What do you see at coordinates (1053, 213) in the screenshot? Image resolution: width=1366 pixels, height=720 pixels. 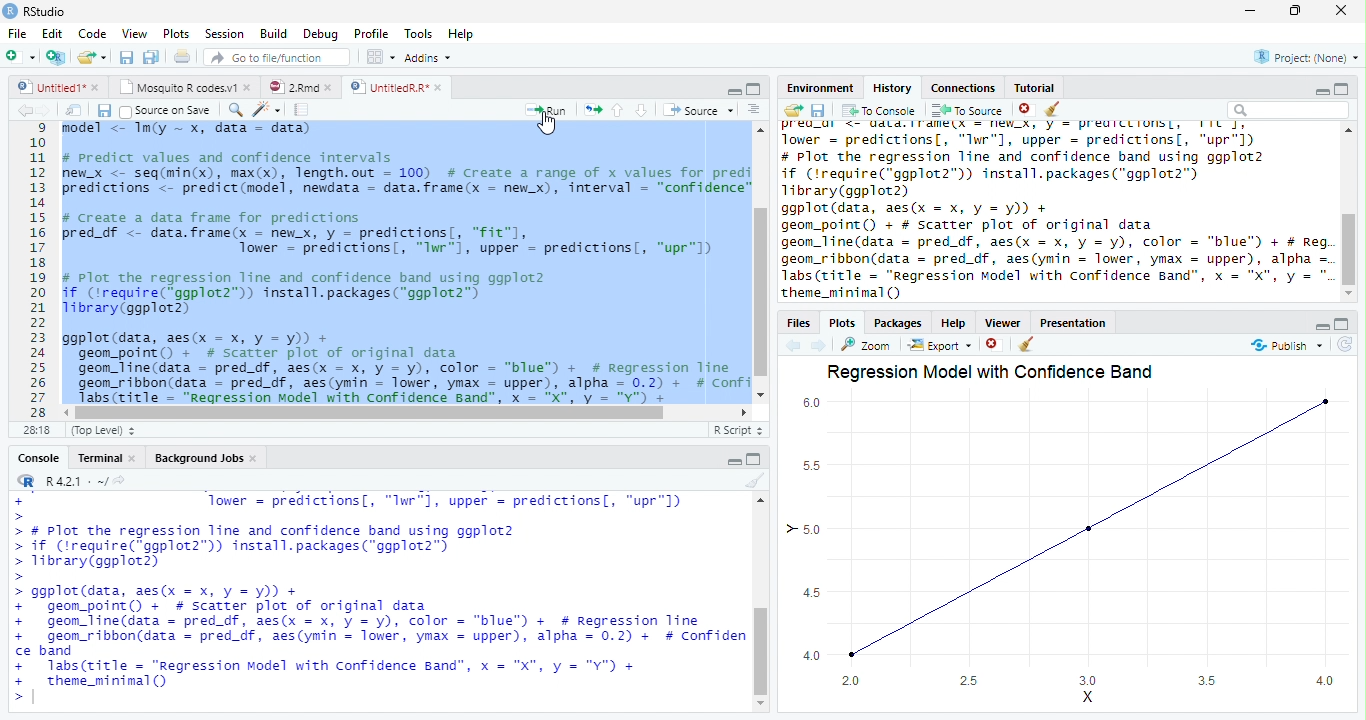 I see `lower = predictions, "lwr”], upper = predictions(, “upr®])Plot the regression Tine and confidence band using ggplot2 (irequire(“ggplot2”)) install.packages(“ggplot2”)ibrary(ggplot2)gplot (data, aes(x = x, y = y)) +eon_point() + # Scatter plot of original dataICE Ie ae Ban ere Eolor = "Blua> +. # hapeon_ribbon(data = pred_df, aes(ymin = lower, ymax = upper), alpha =.abs (title = “Regression Model with Confidence Band”, x = "X", y =heme_minimal ()` at bounding box center [1053, 213].